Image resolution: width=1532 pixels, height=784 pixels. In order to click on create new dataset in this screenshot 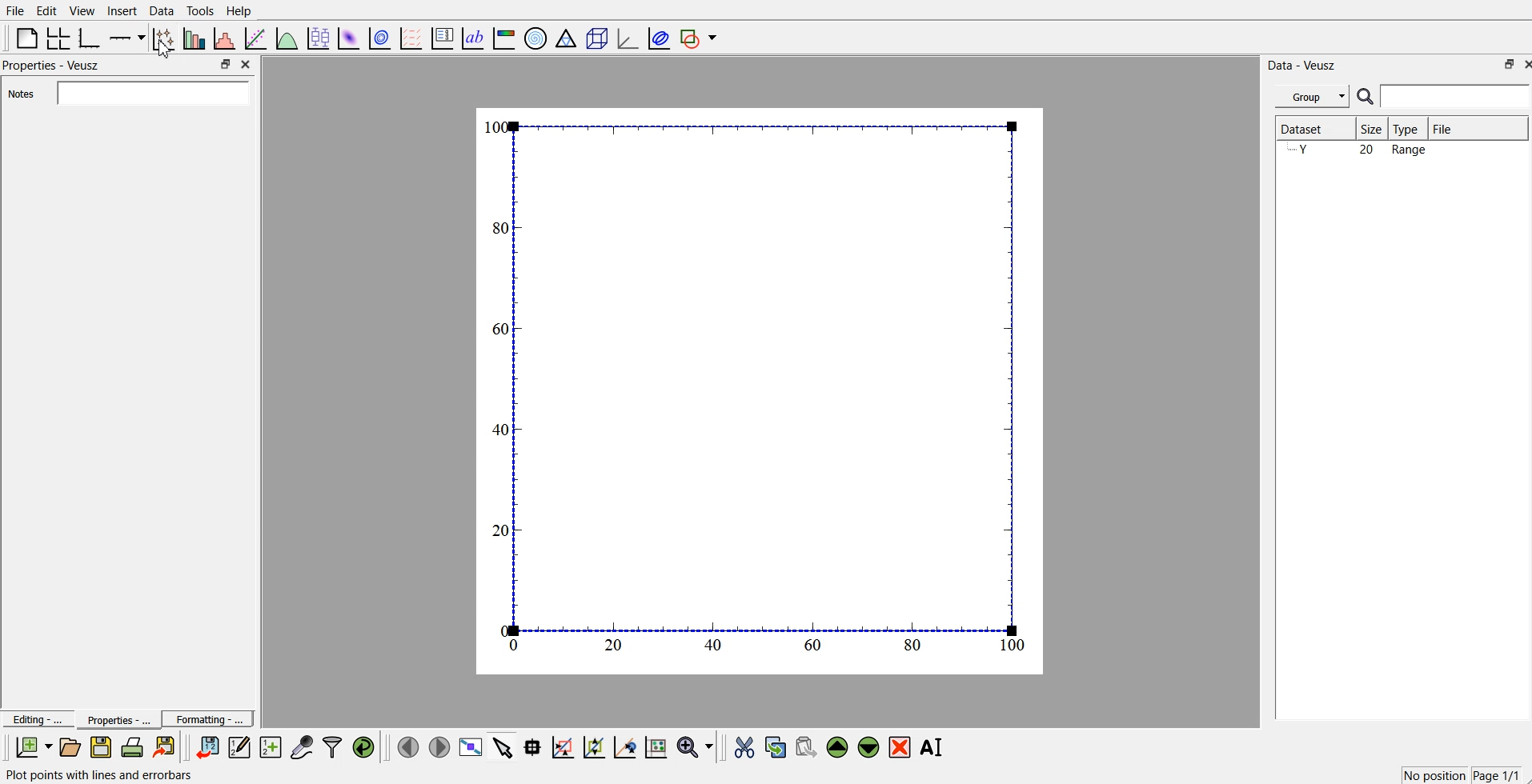, I will do `click(270, 745)`.